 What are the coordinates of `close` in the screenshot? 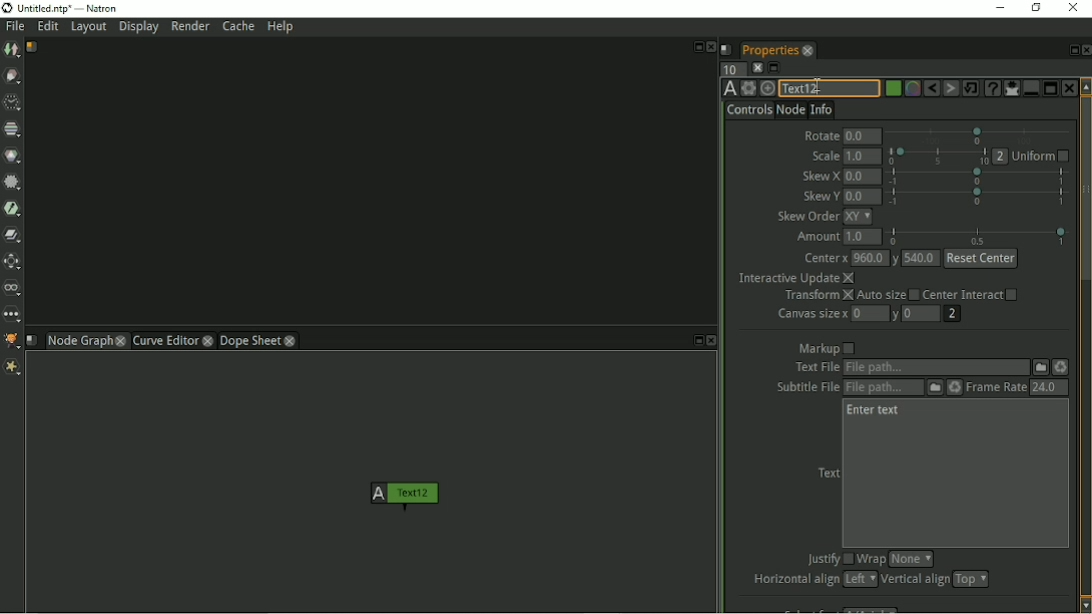 It's located at (121, 340).